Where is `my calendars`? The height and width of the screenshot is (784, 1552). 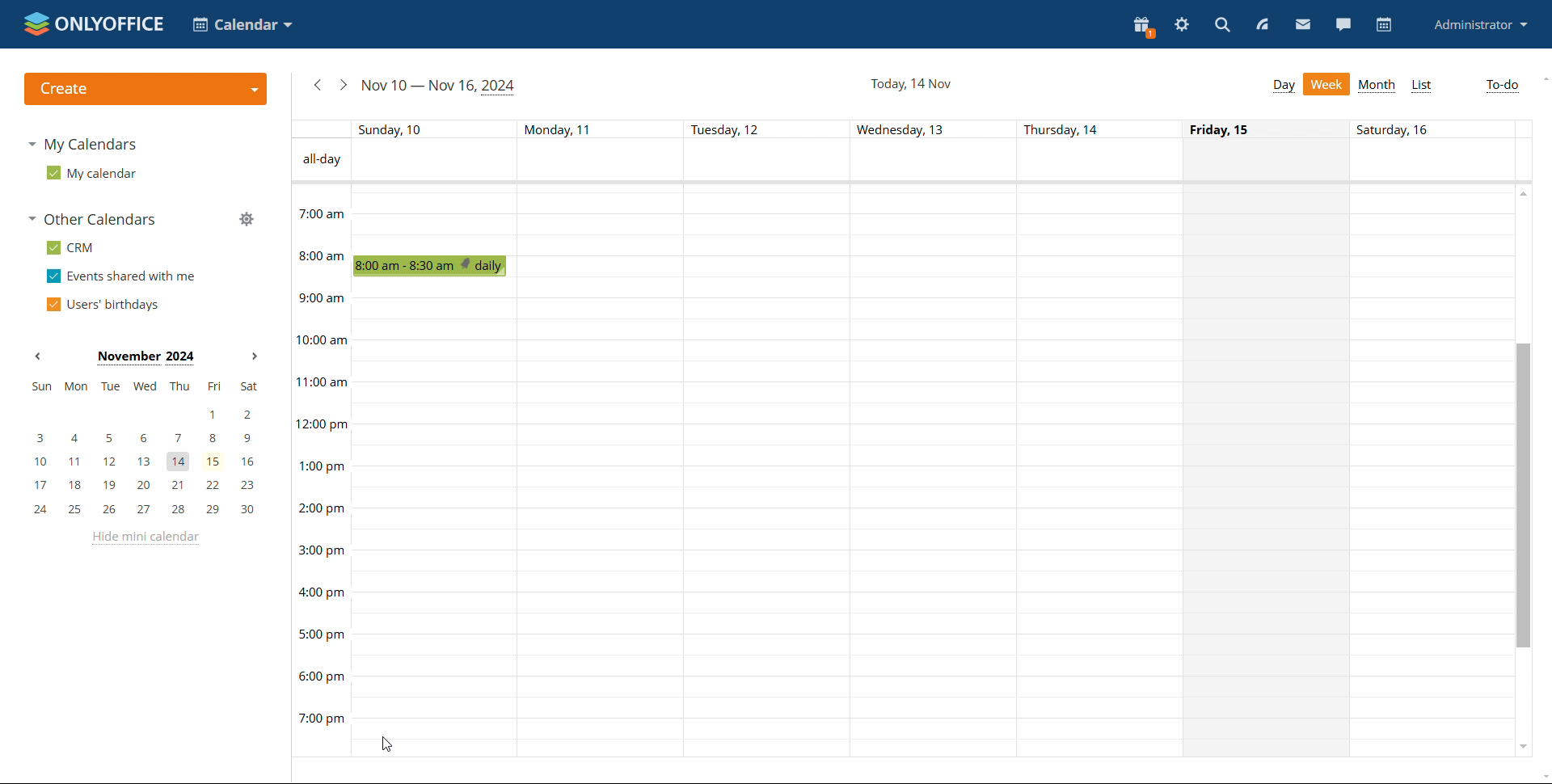 my calendars is located at coordinates (81, 144).